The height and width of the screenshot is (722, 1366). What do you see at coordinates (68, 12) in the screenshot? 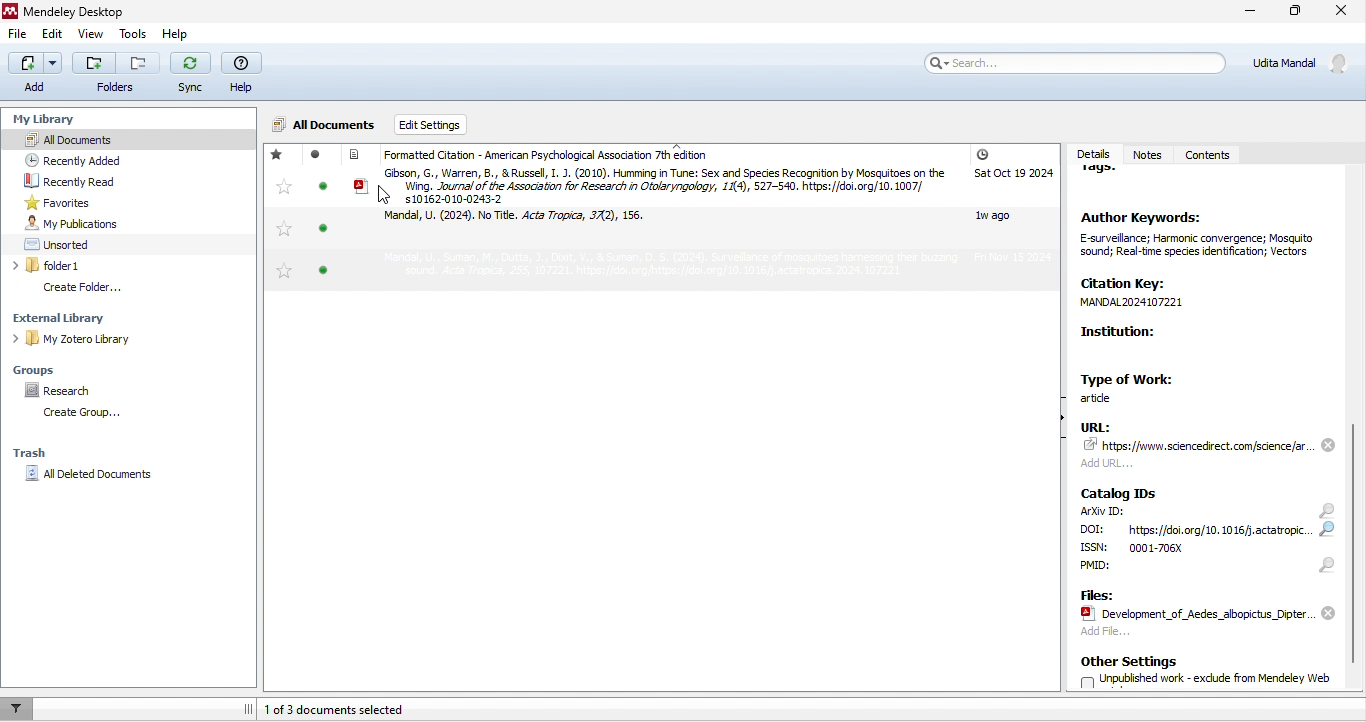
I see `Mendeley Desktop` at bounding box center [68, 12].